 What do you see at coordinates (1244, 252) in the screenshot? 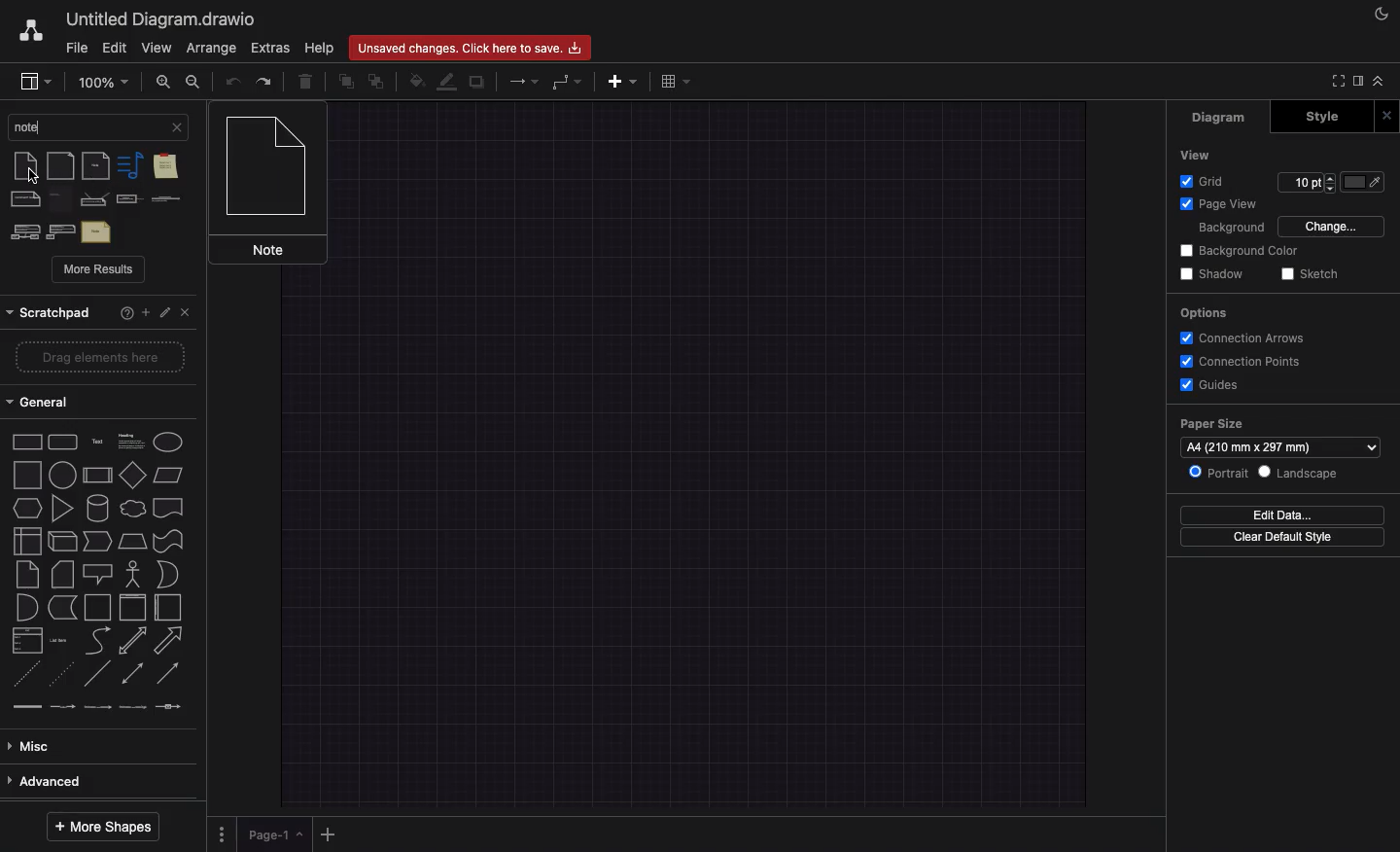
I see `Background color` at bounding box center [1244, 252].